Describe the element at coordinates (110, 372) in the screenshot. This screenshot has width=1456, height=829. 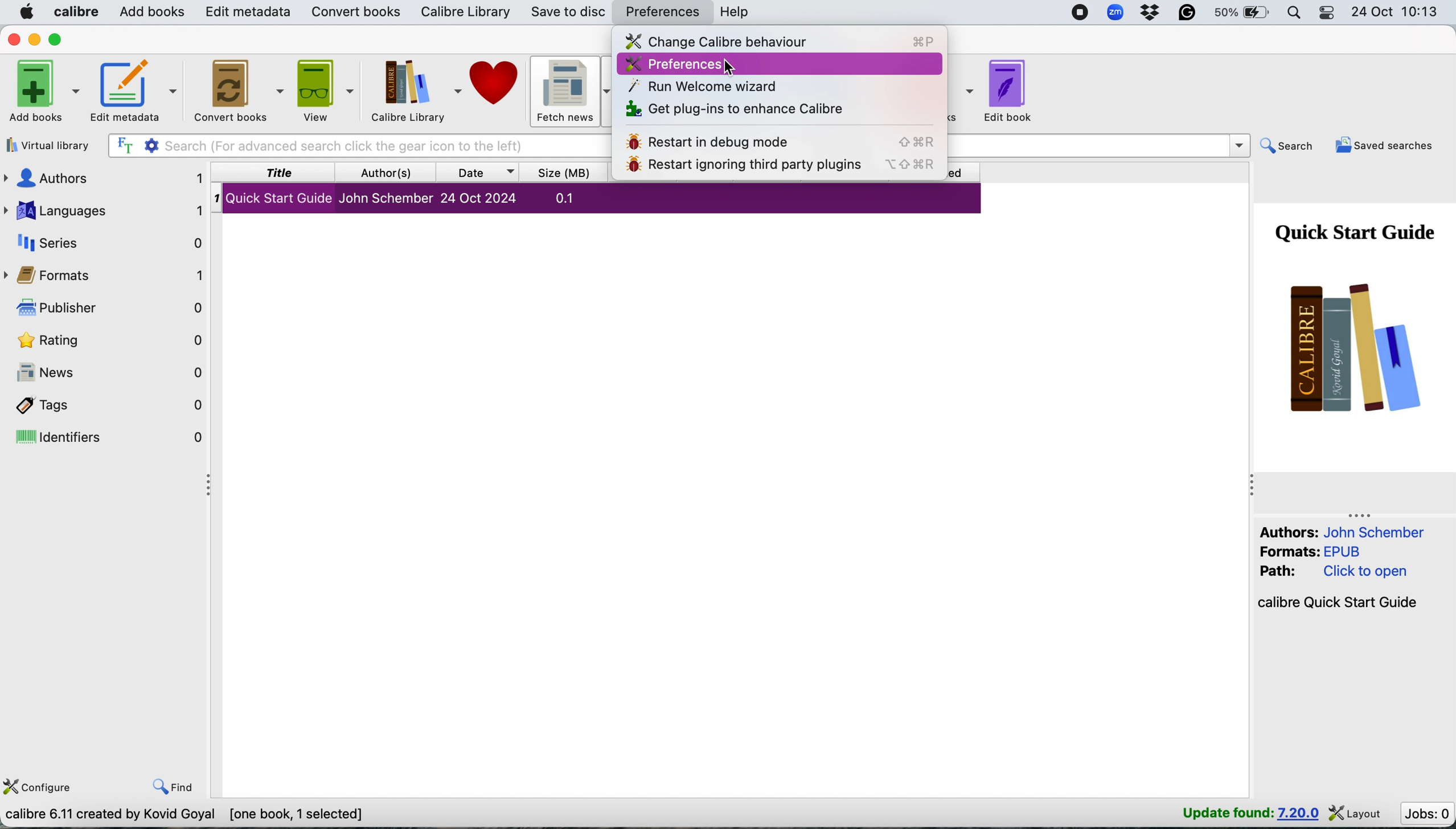
I see `news` at that location.